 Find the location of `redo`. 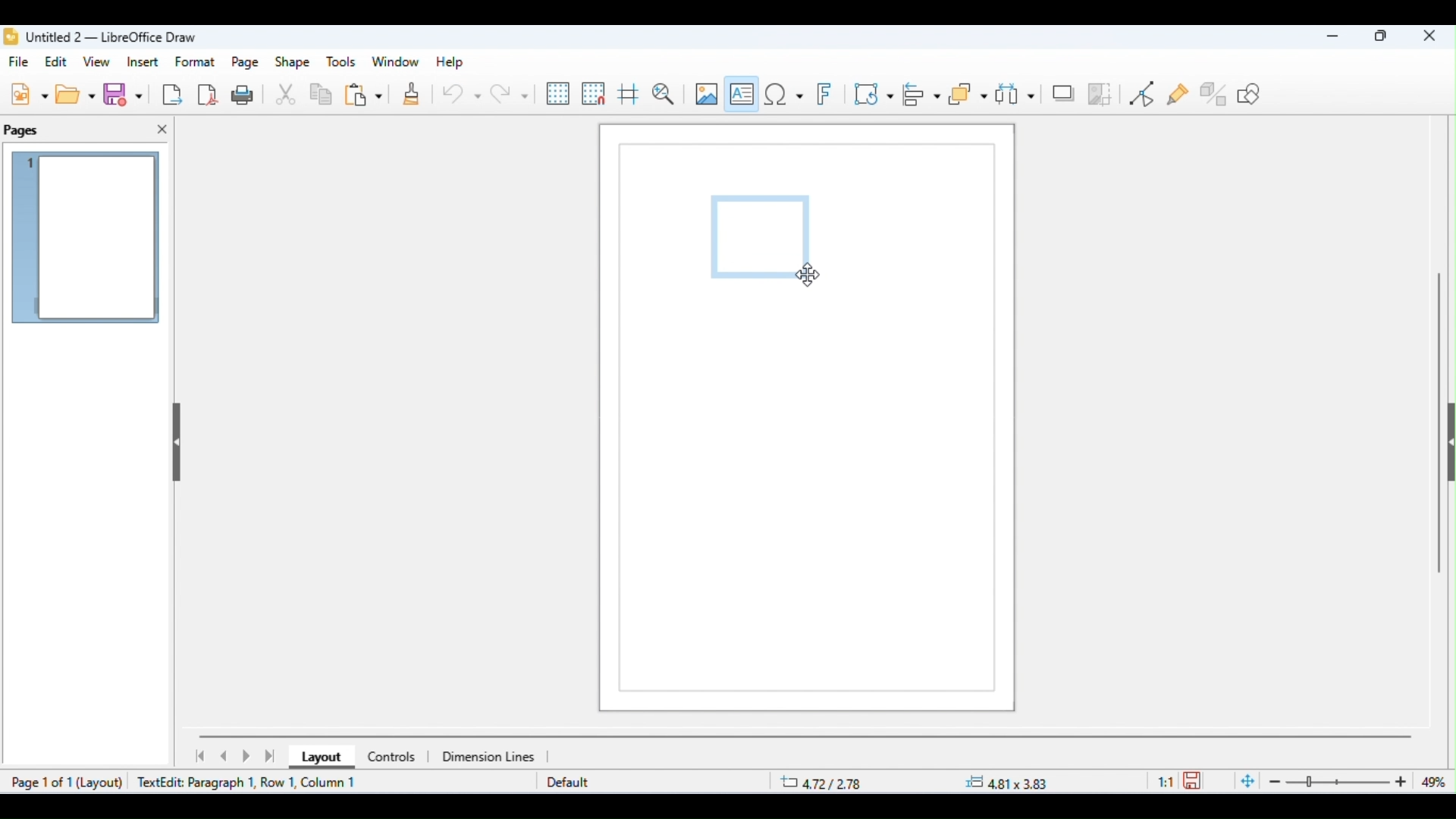

redo is located at coordinates (509, 93).